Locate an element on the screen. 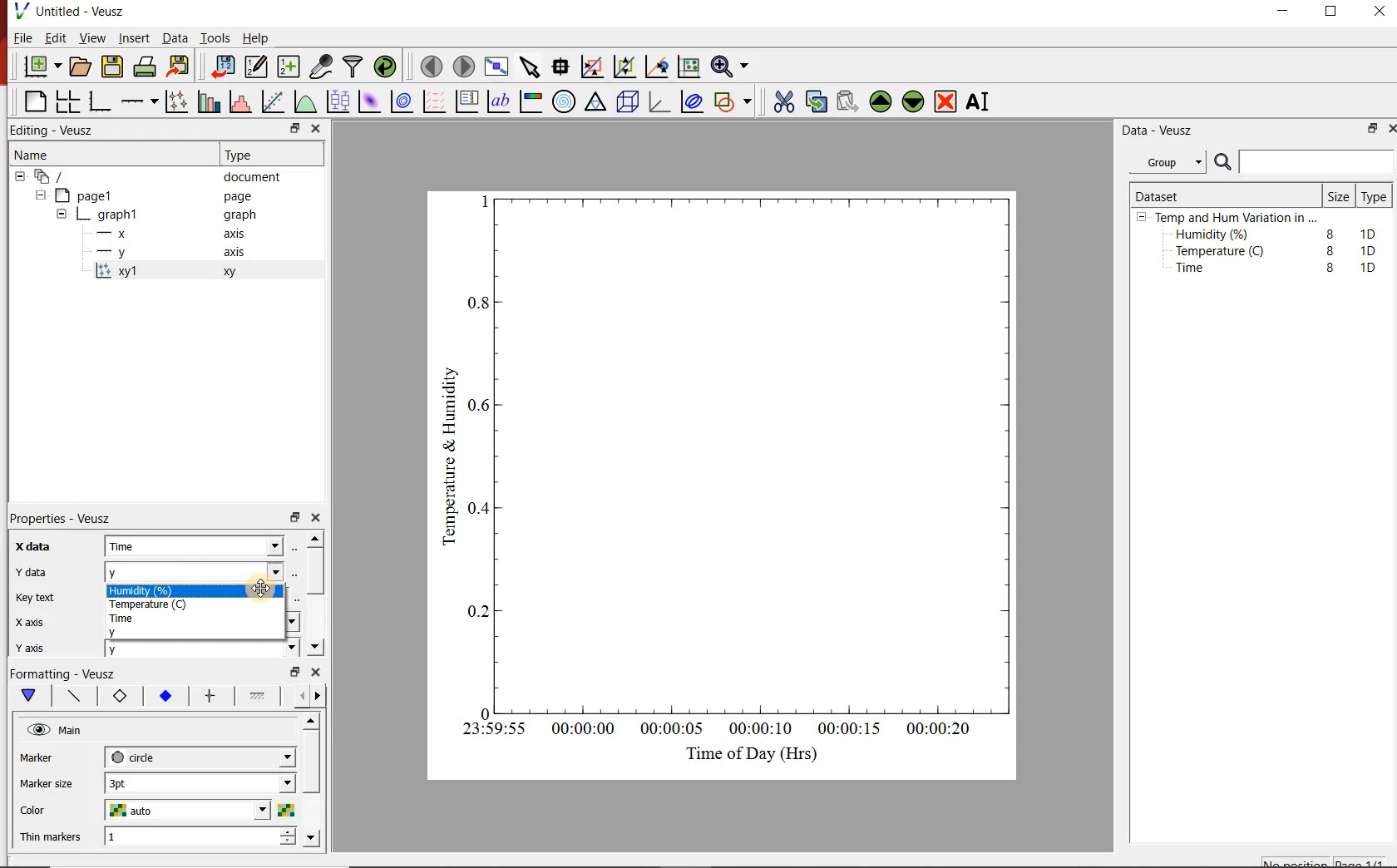  00:00:00 is located at coordinates (580, 731).